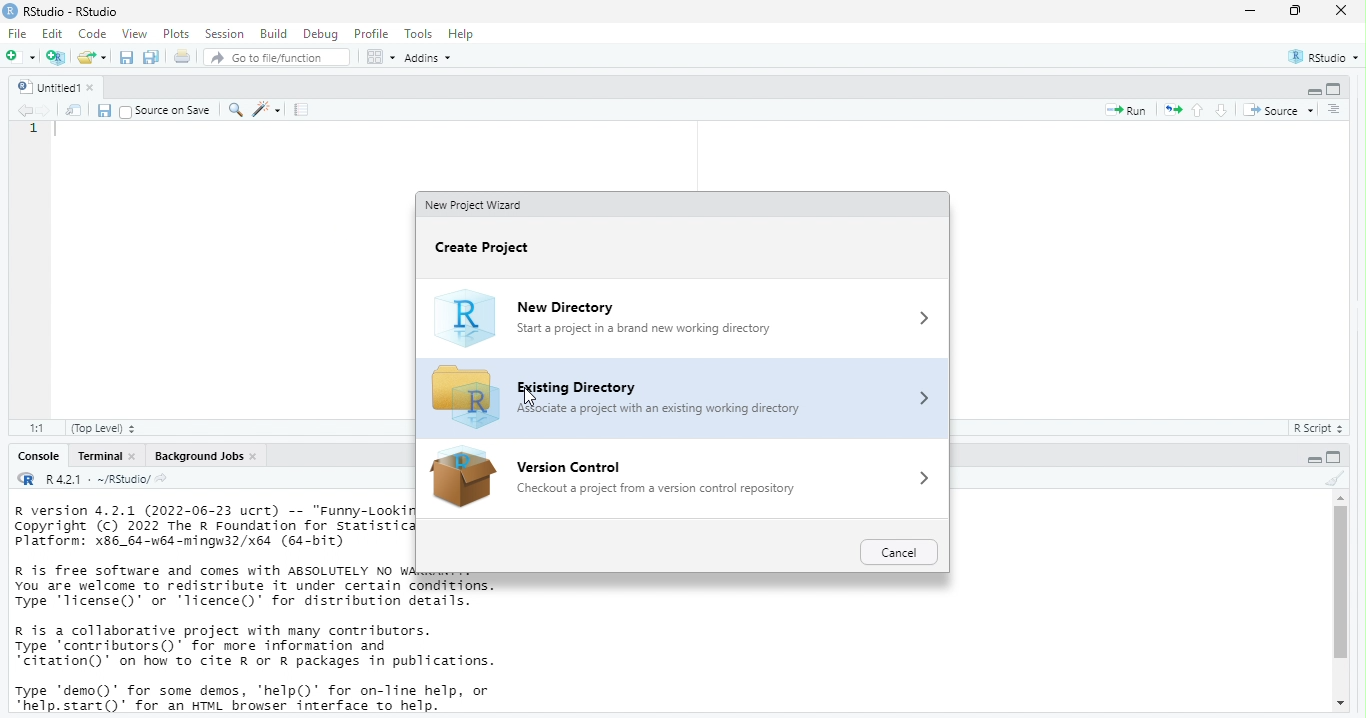 Image resolution: width=1366 pixels, height=718 pixels. Describe the element at coordinates (11, 13) in the screenshot. I see `logo` at that location.